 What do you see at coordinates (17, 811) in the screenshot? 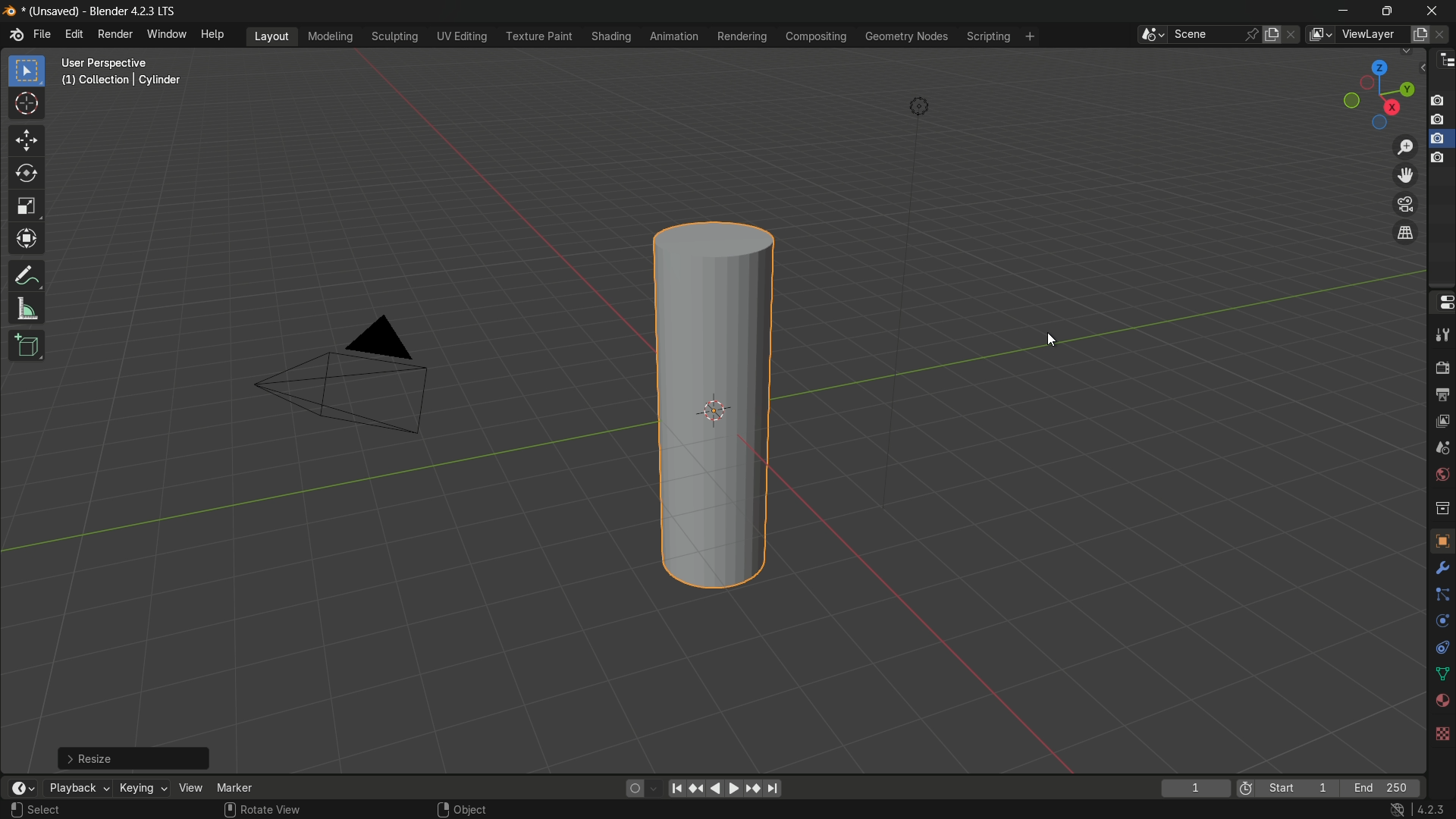
I see `left  click` at bounding box center [17, 811].